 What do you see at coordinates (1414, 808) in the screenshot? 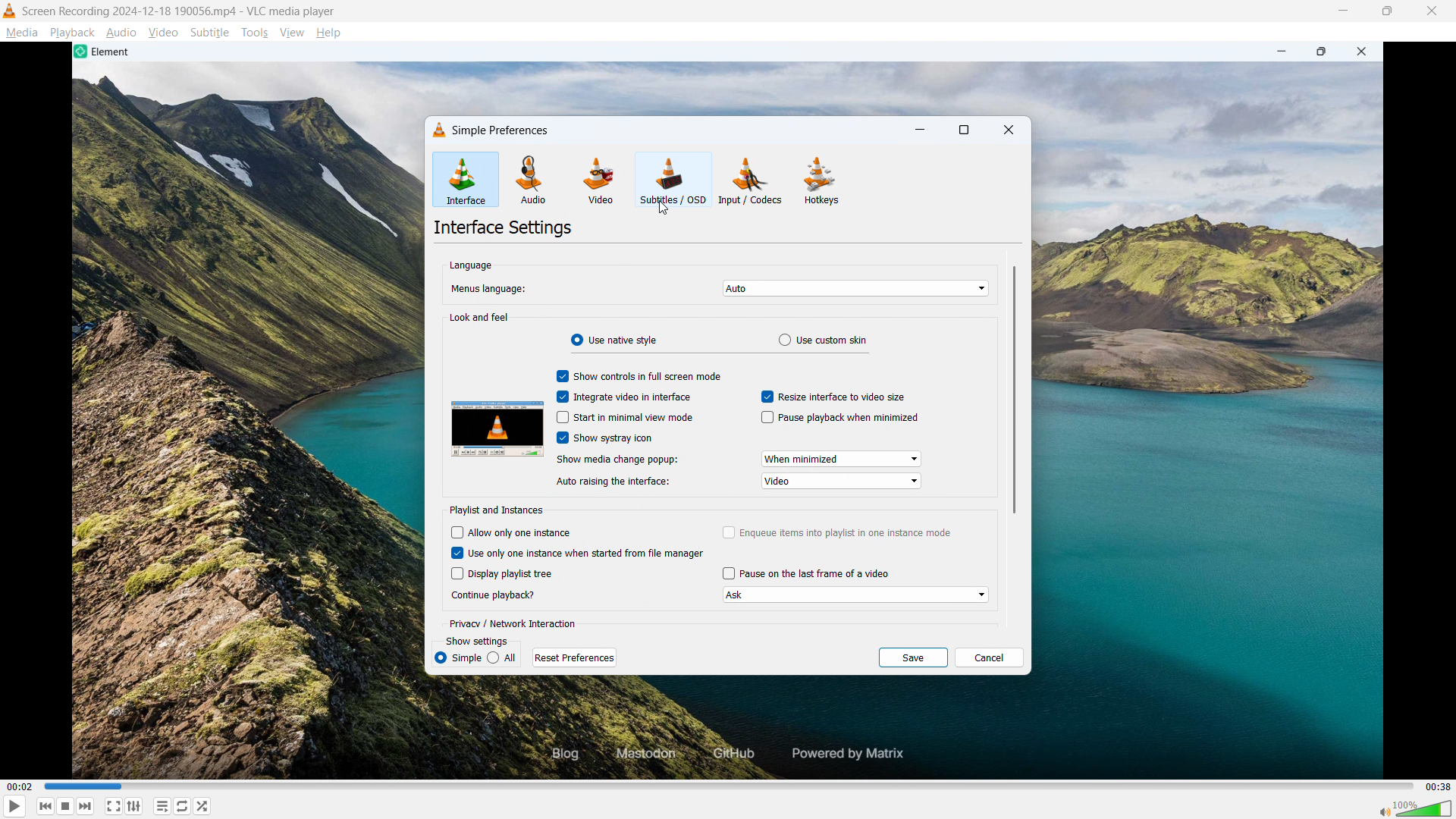
I see `sound bar` at bounding box center [1414, 808].